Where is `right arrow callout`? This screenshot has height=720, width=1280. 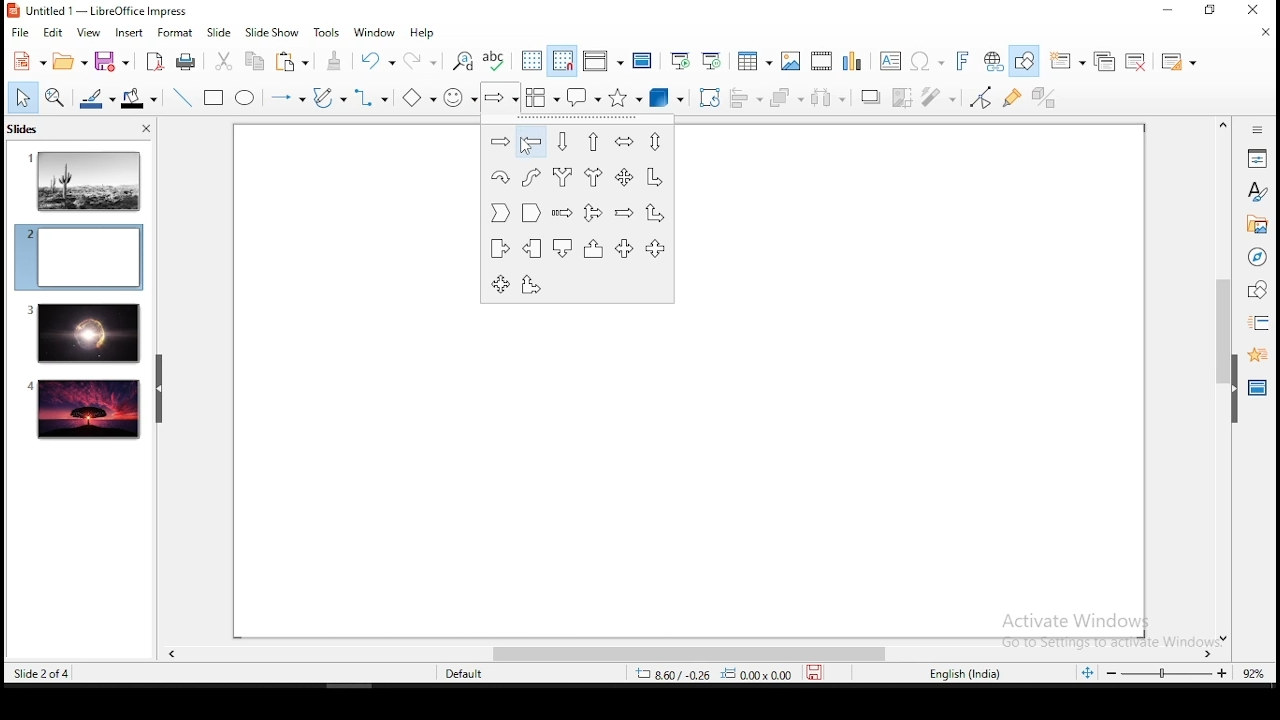 right arrow callout is located at coordinates (499, 248).